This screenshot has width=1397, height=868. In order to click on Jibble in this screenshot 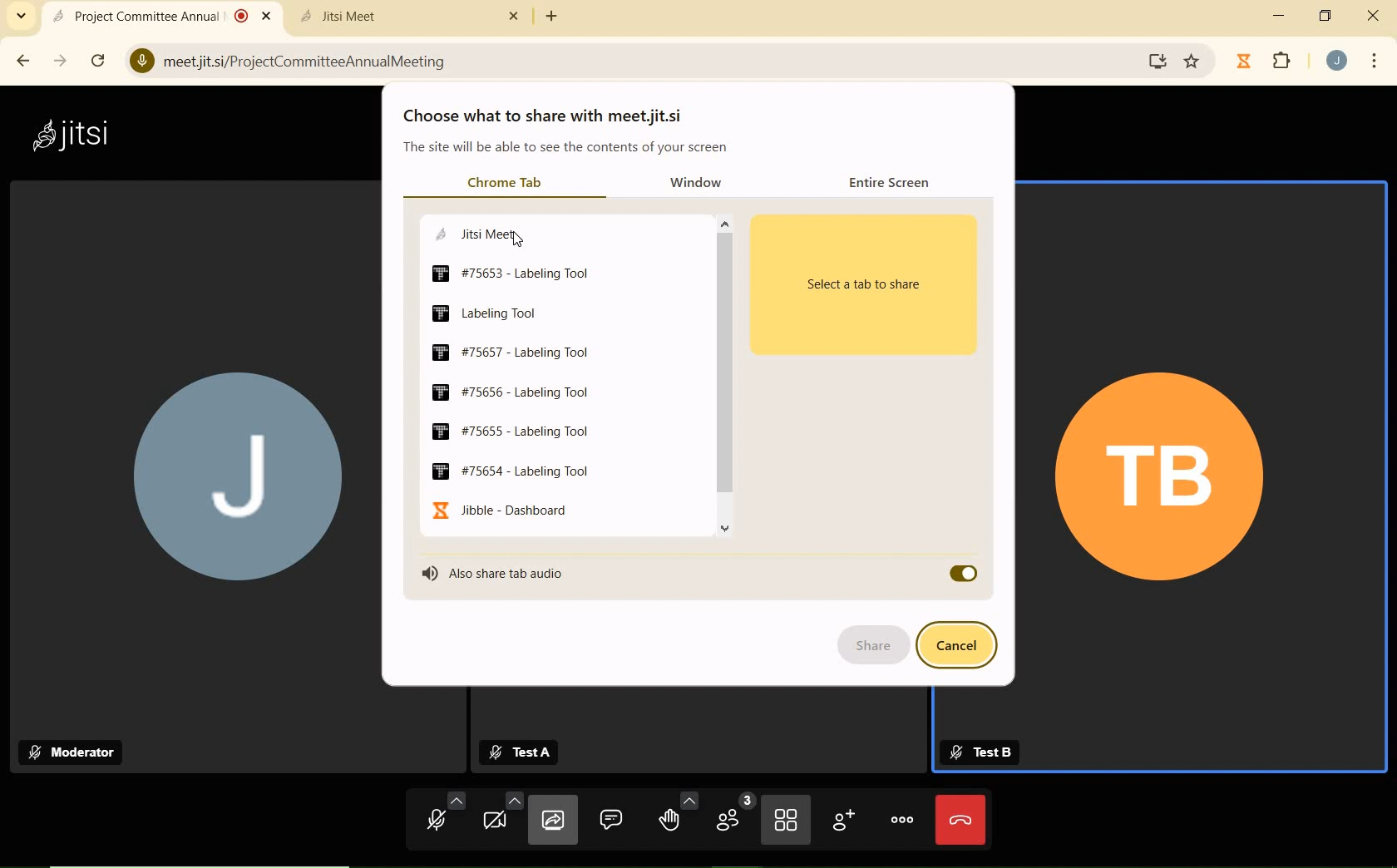, I will do `click(1244, 61)`.